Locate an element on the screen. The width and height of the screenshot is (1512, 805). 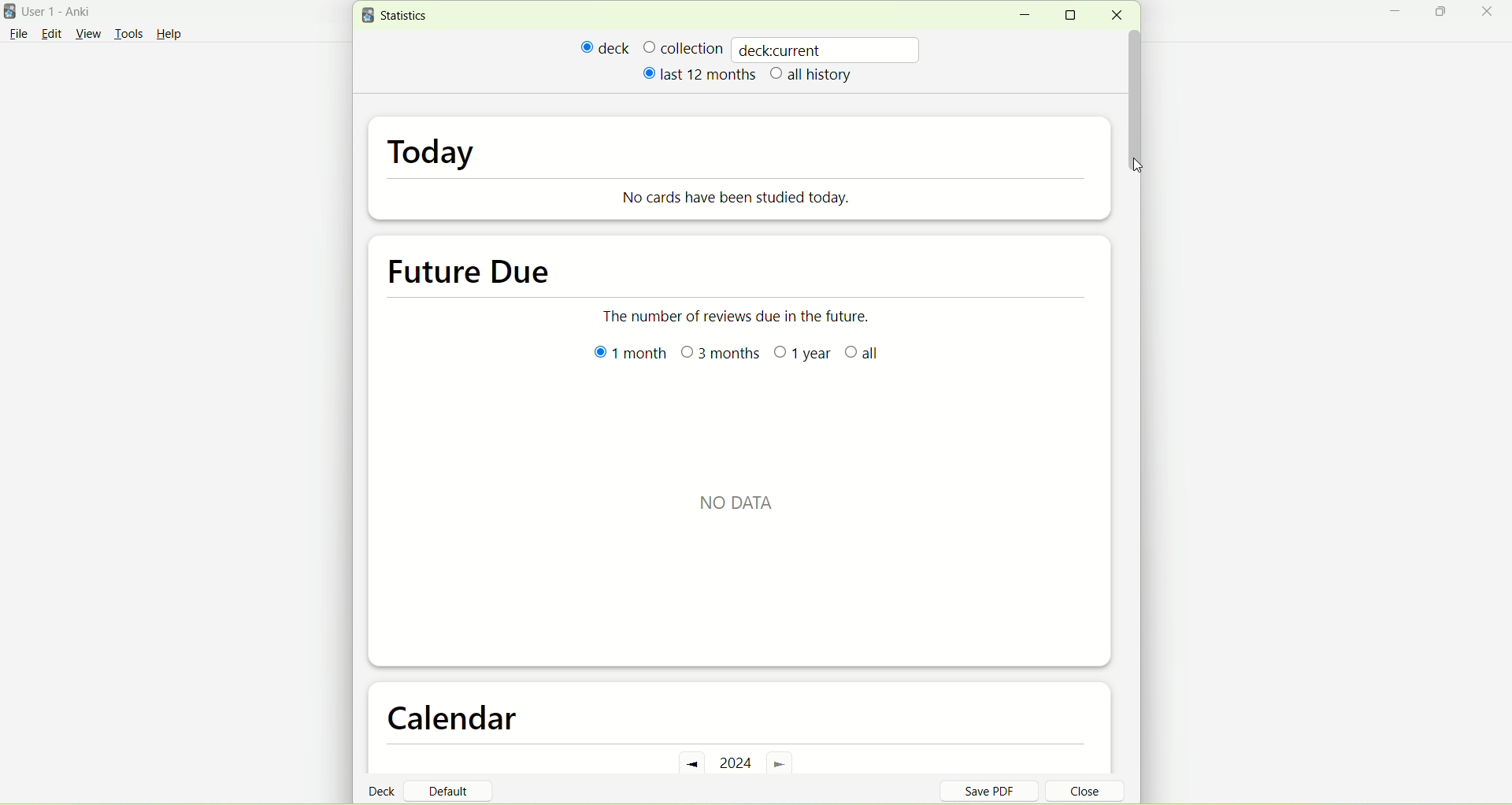
deck is located at coordinates (384, 790).